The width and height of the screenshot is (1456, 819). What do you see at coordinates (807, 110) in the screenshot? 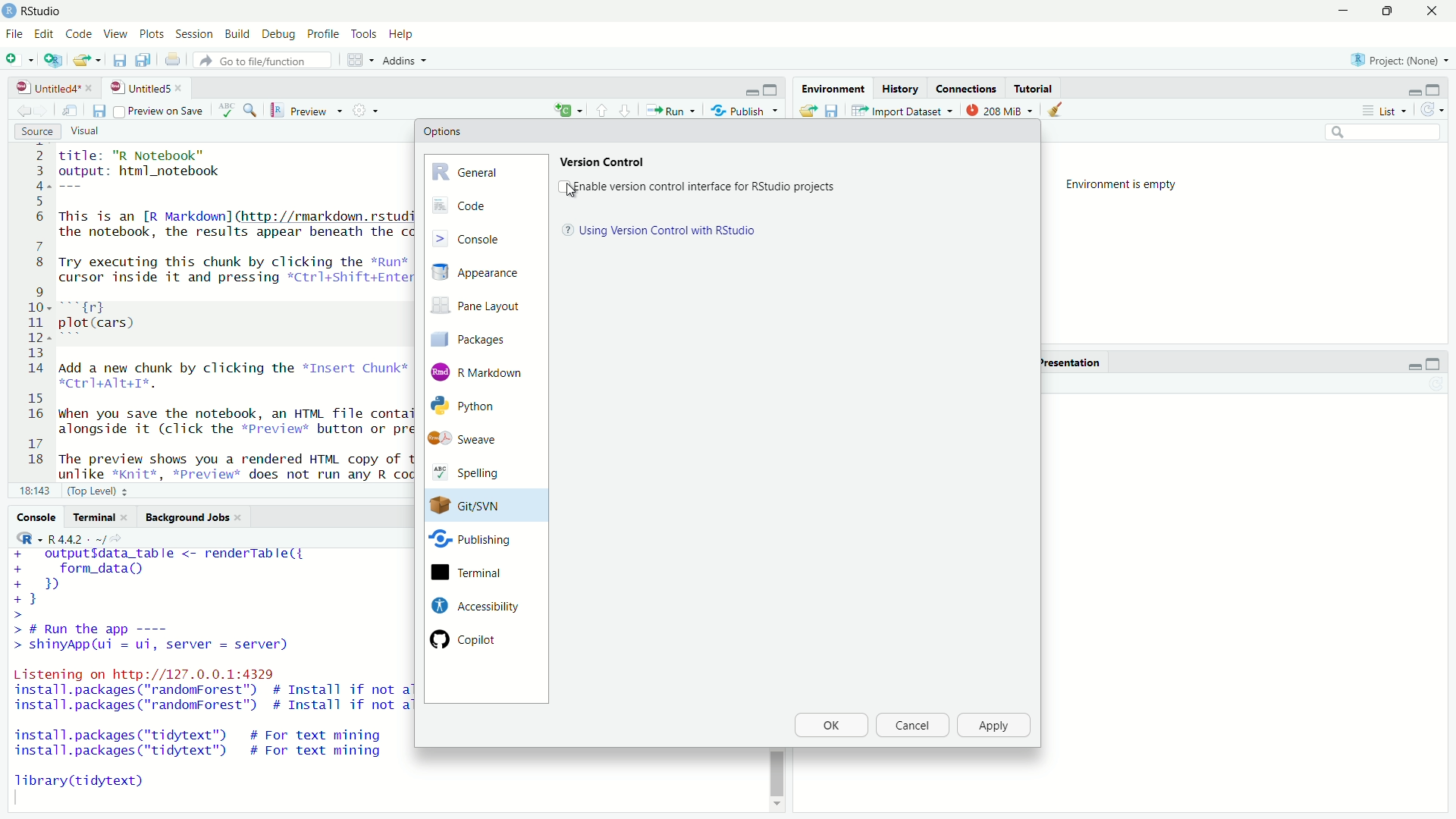
I see `Load WorSpace` at bounding box center [807, 110].